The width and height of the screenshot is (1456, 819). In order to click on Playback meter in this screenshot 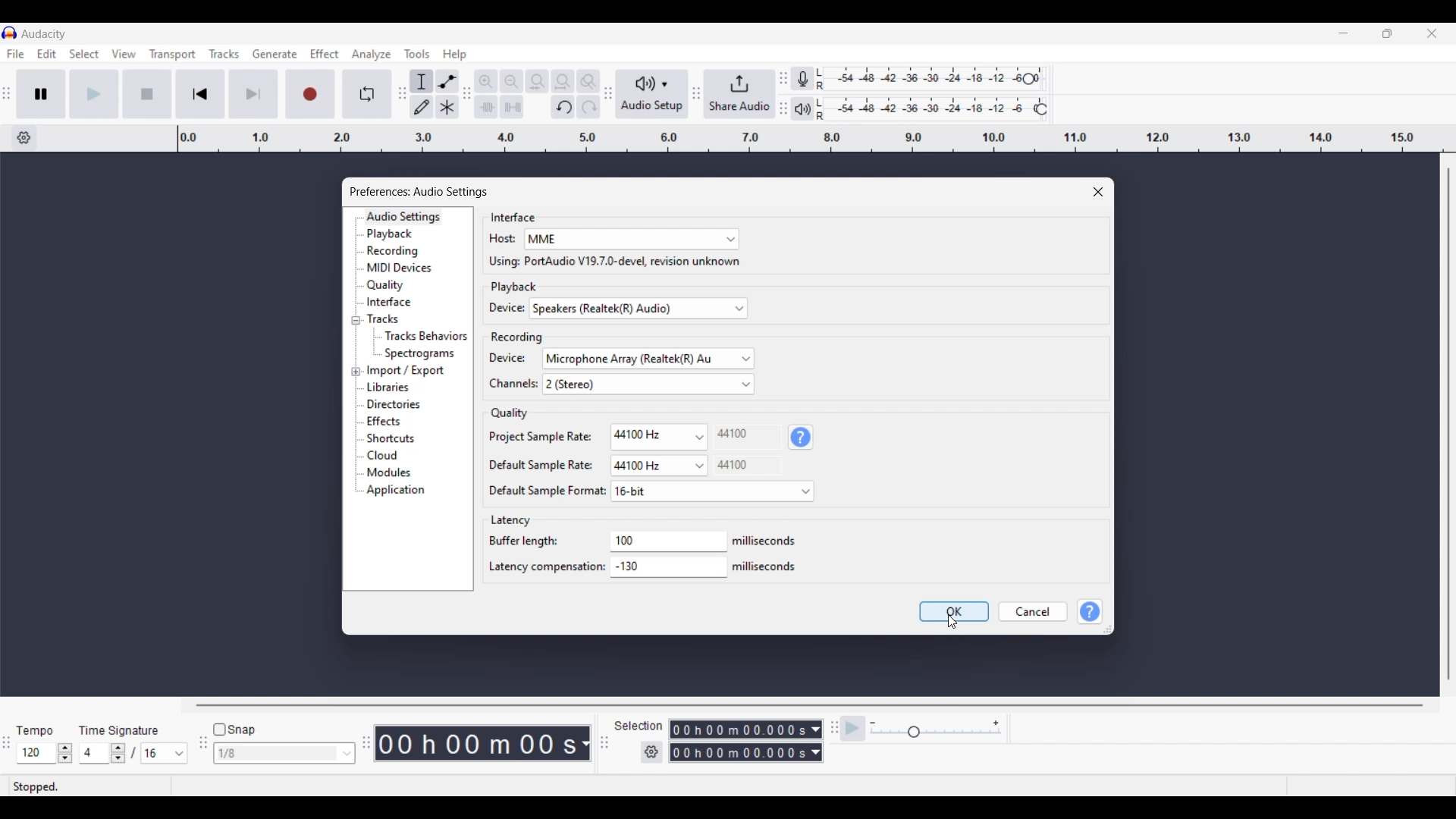, I will do `click(810, 108)`.